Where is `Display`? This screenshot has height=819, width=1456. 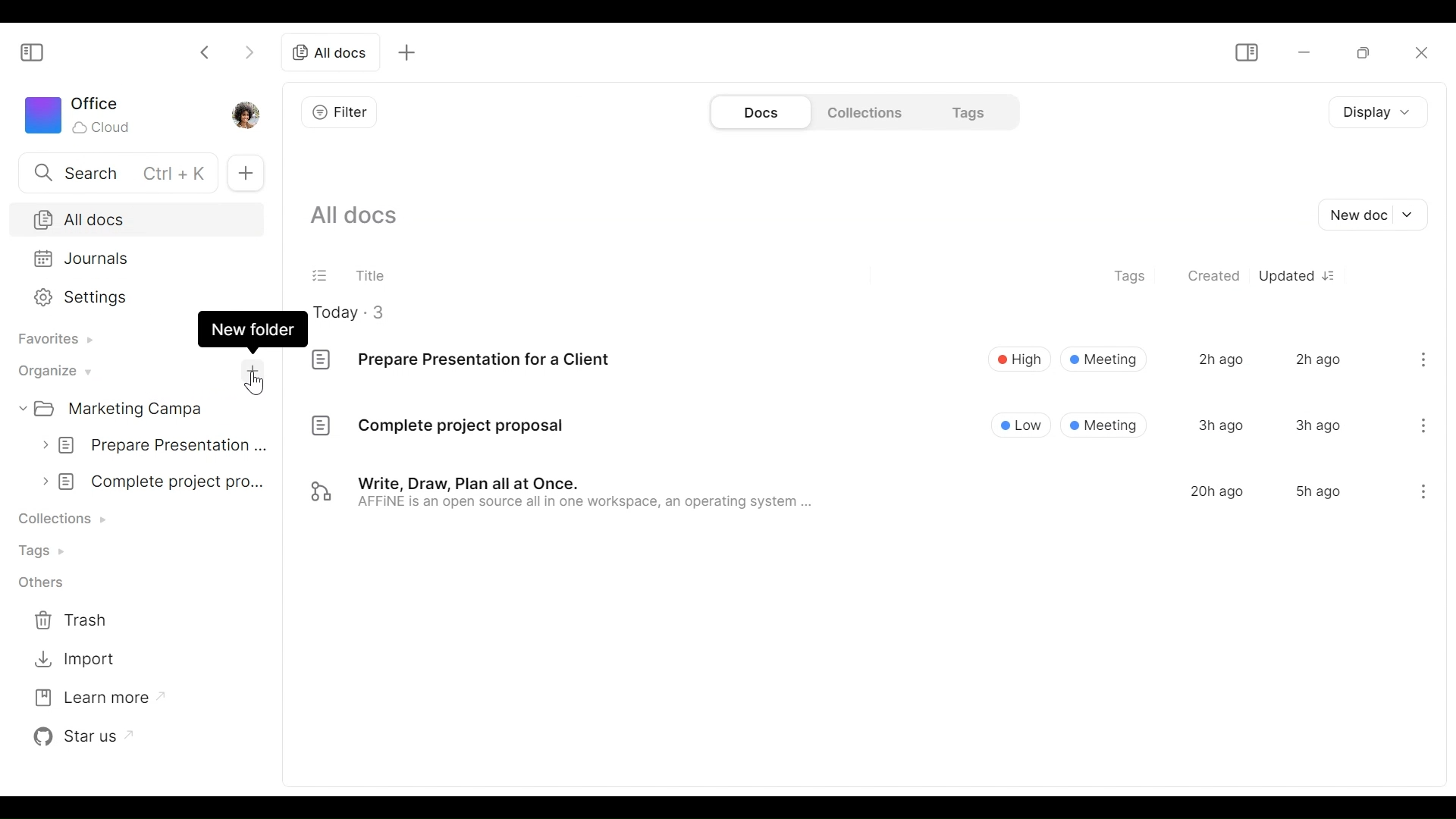
Display is located at coordinates (1373, 114).